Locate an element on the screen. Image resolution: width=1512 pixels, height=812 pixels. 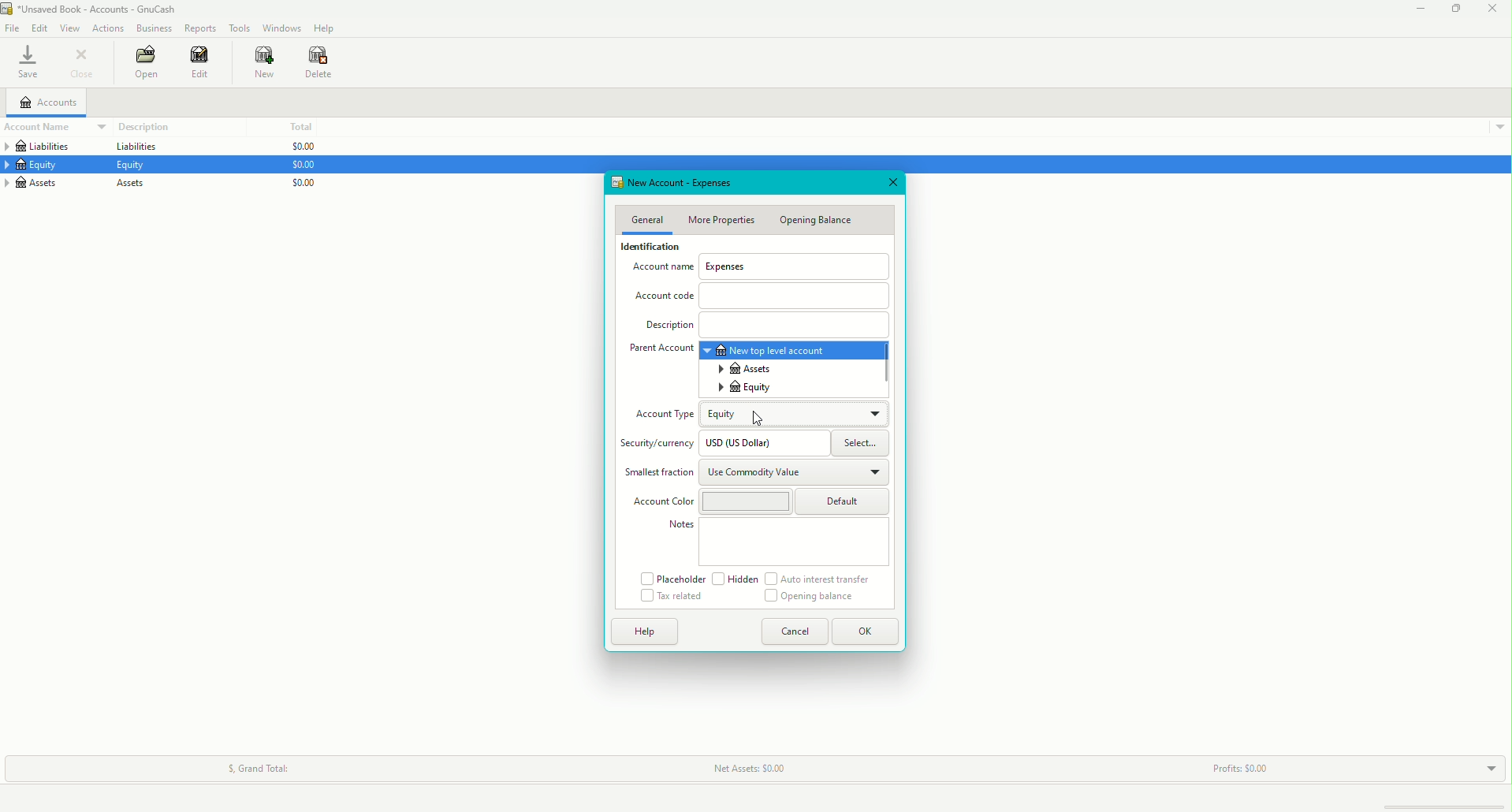
Actions is located at coordinates (110, 28).